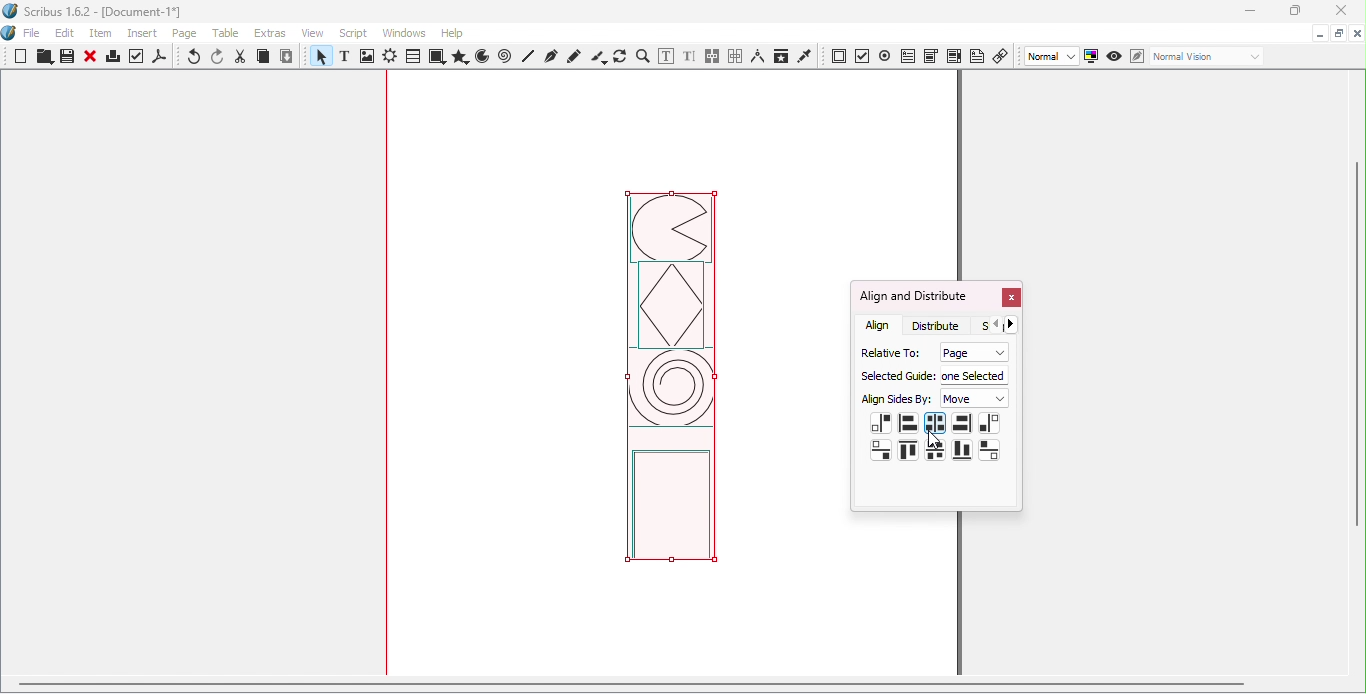 This screenshot has height=694, width=1366. What do you see at coordinates (229, 34) in the screenshot?
I see `Table` at bounding box center [229, 34].